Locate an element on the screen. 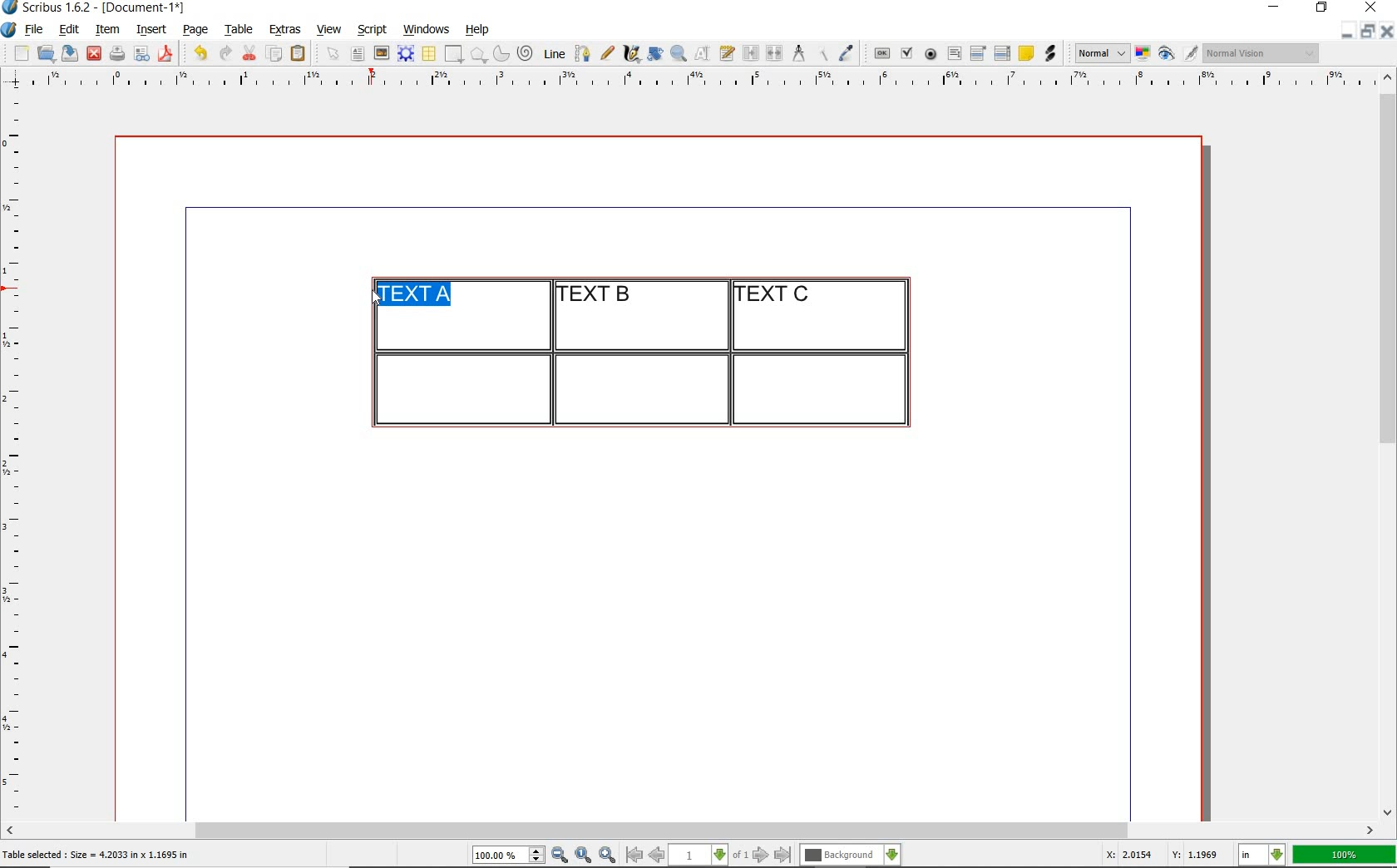  select the current unit is located at coordinates (1262, 856).